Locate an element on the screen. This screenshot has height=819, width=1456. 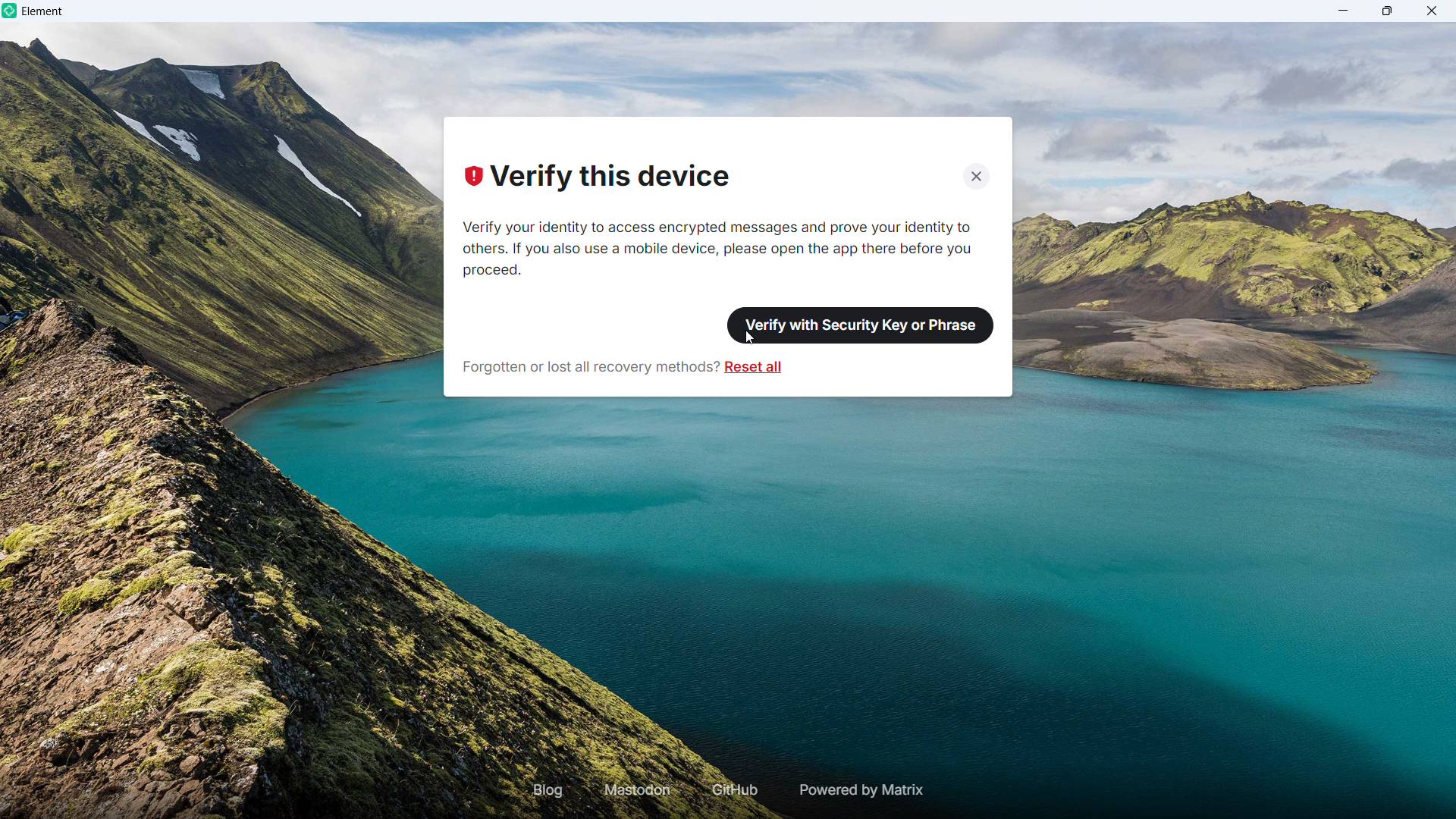
cursor movement is located at coordinates (745, 340).